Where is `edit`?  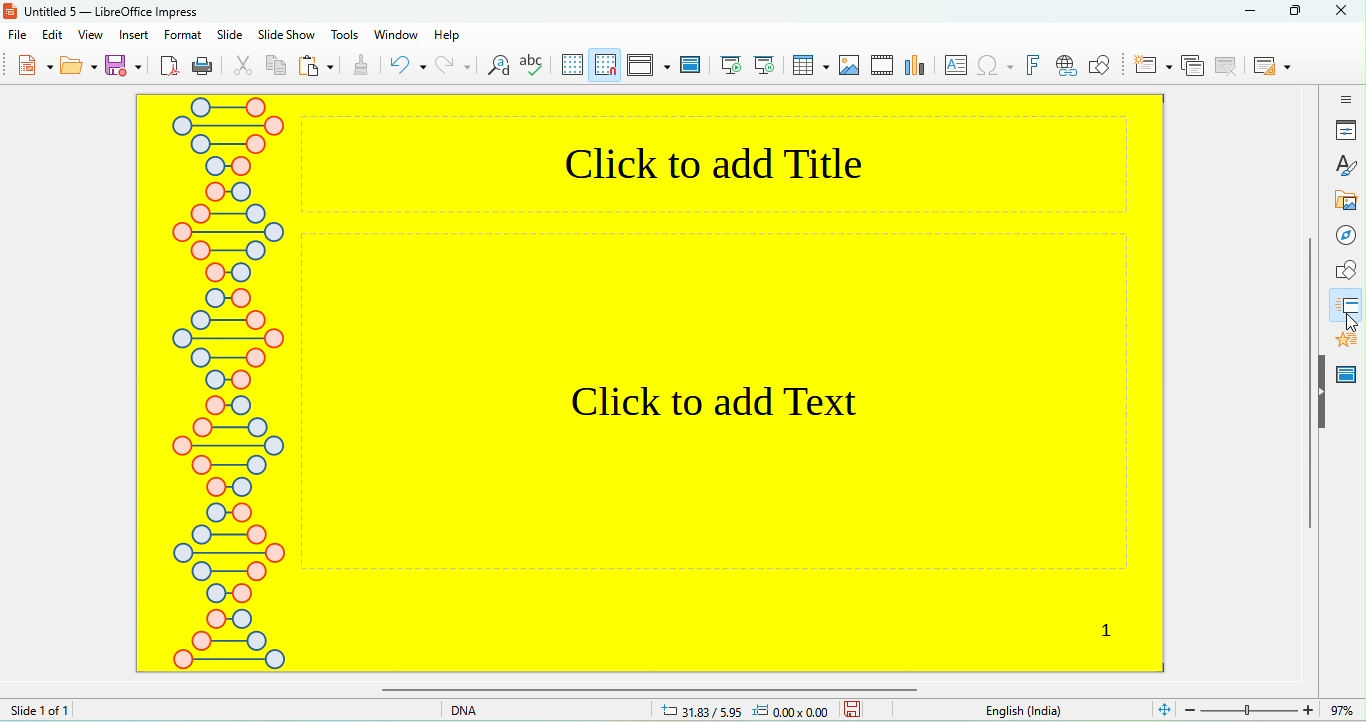
edit is located at coordinates (51, 38).